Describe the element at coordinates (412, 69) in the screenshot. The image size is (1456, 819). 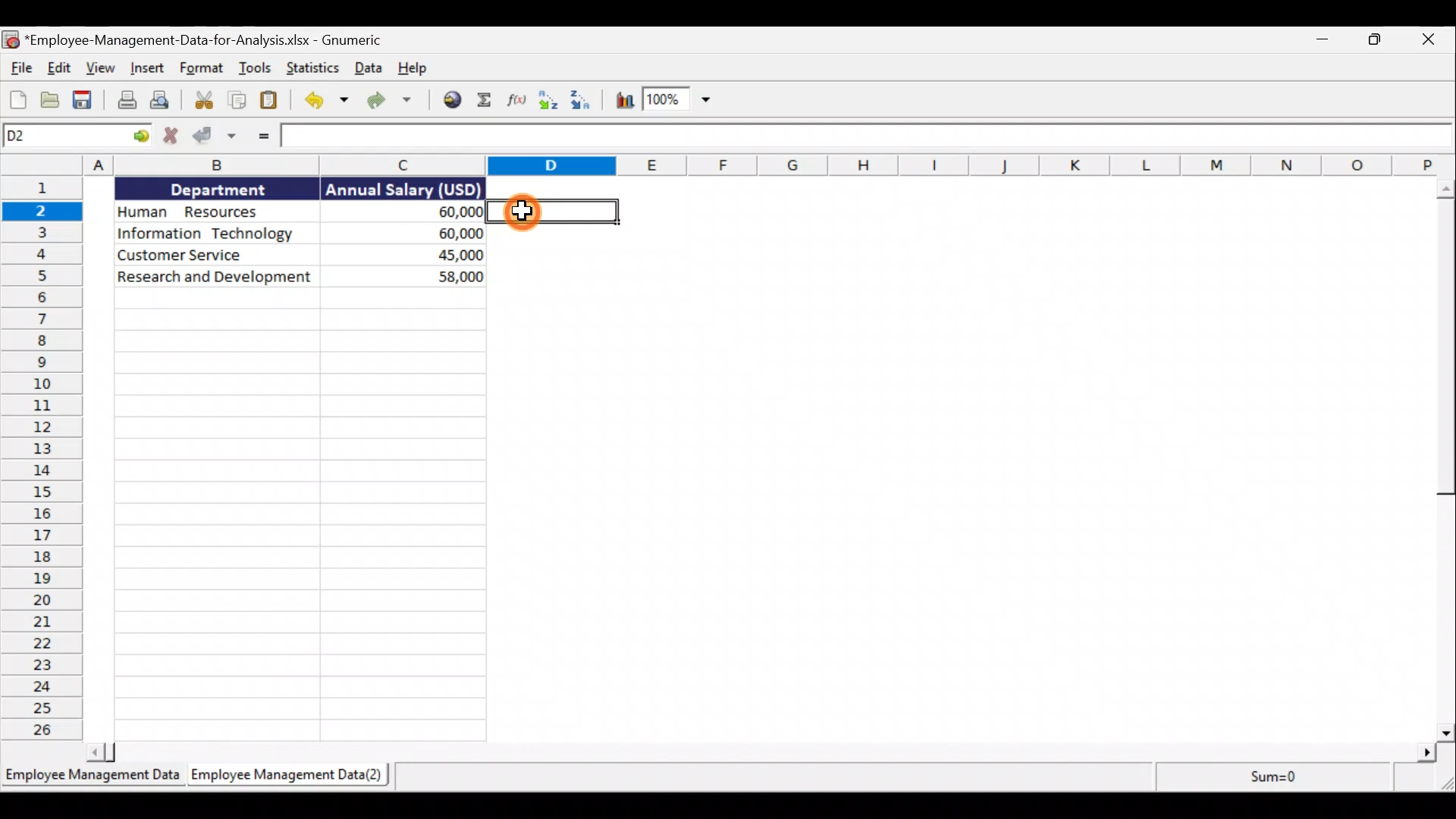
I see `Help` at that location.